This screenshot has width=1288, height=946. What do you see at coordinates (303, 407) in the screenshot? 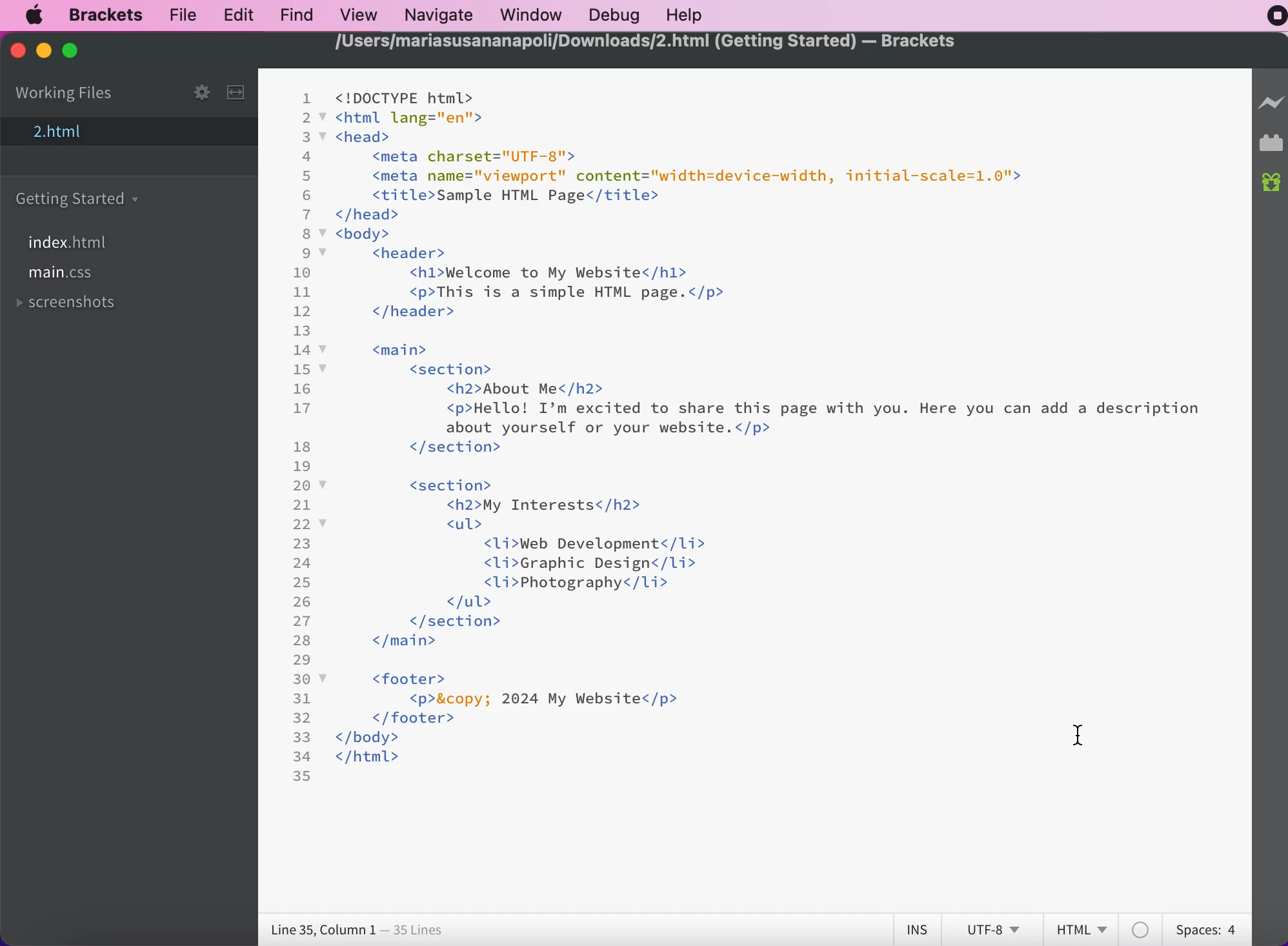
I see `17` at bounding box center [303, 407].